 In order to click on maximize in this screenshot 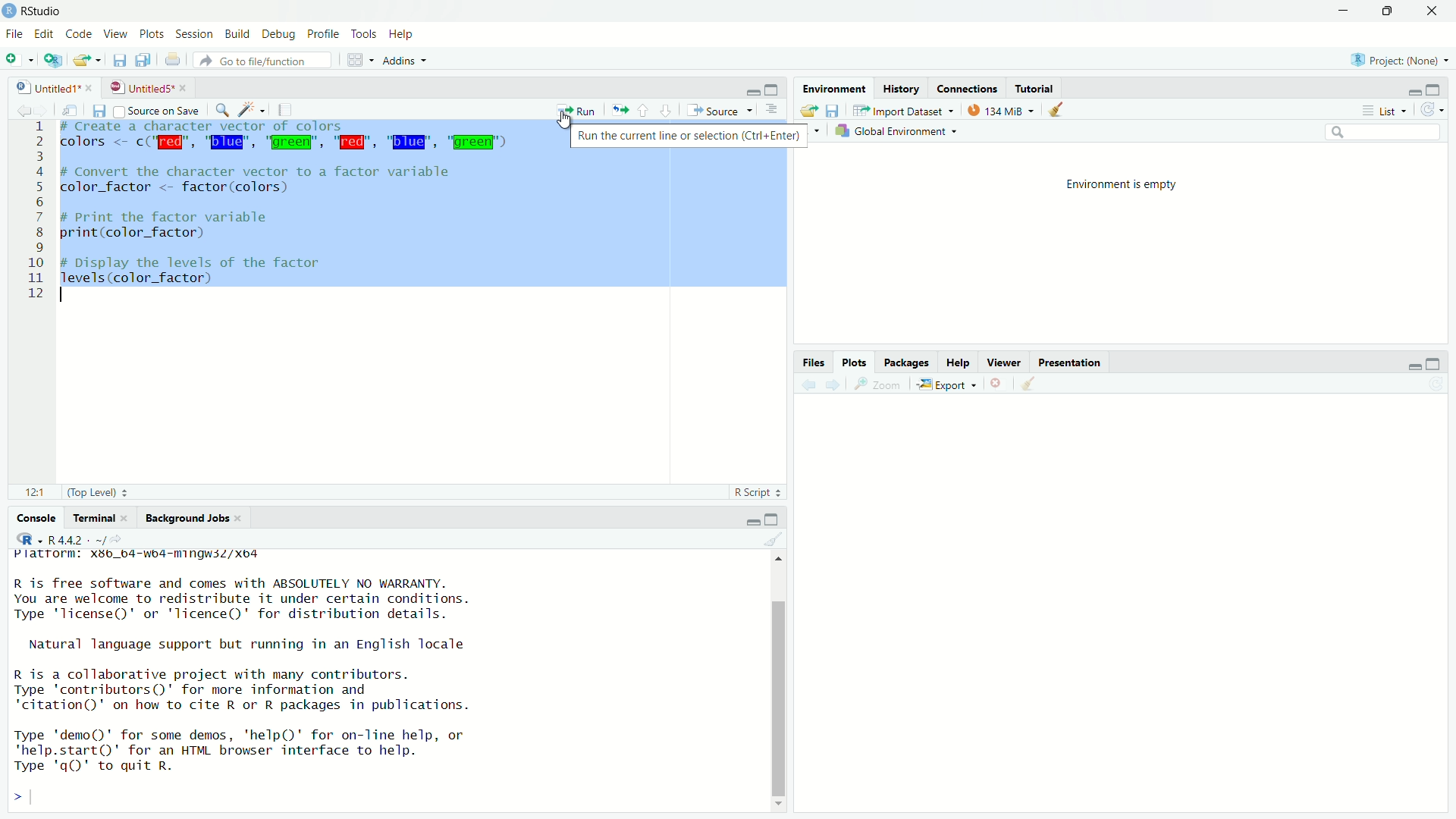, I will do `click(774, 517)`.